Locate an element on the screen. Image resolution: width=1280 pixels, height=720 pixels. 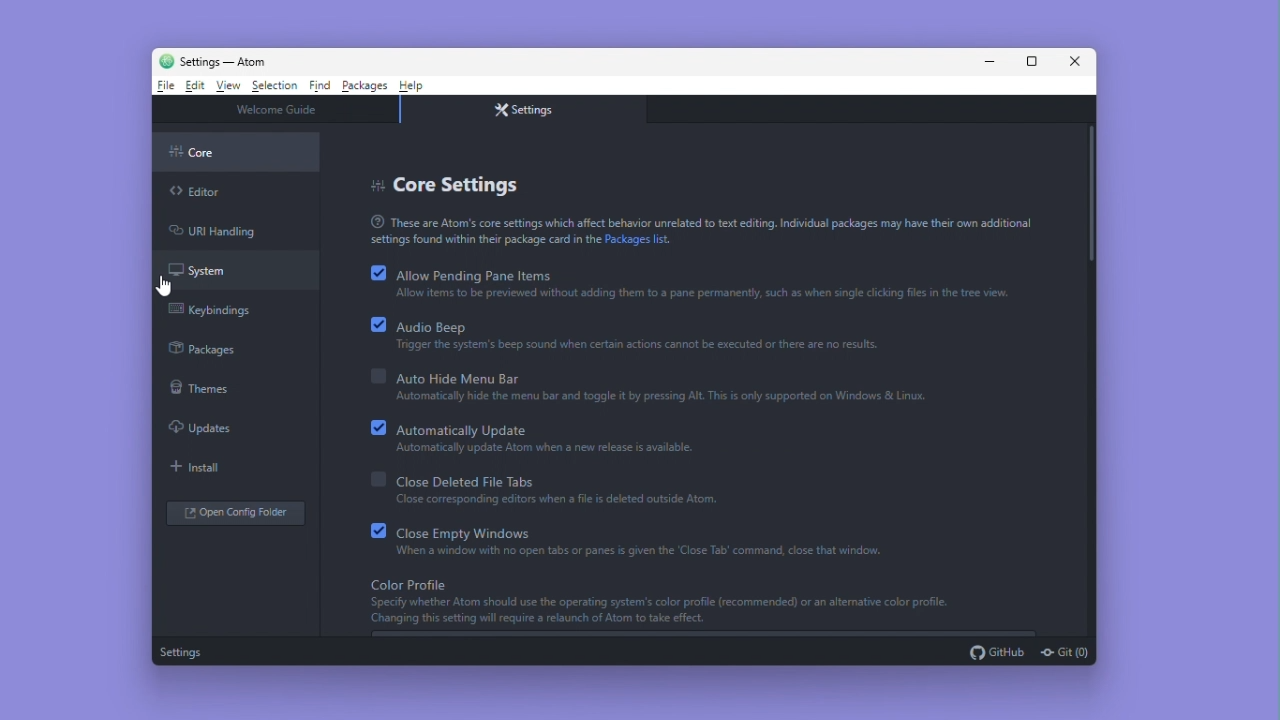
Help is located at coordinates (413, 85).